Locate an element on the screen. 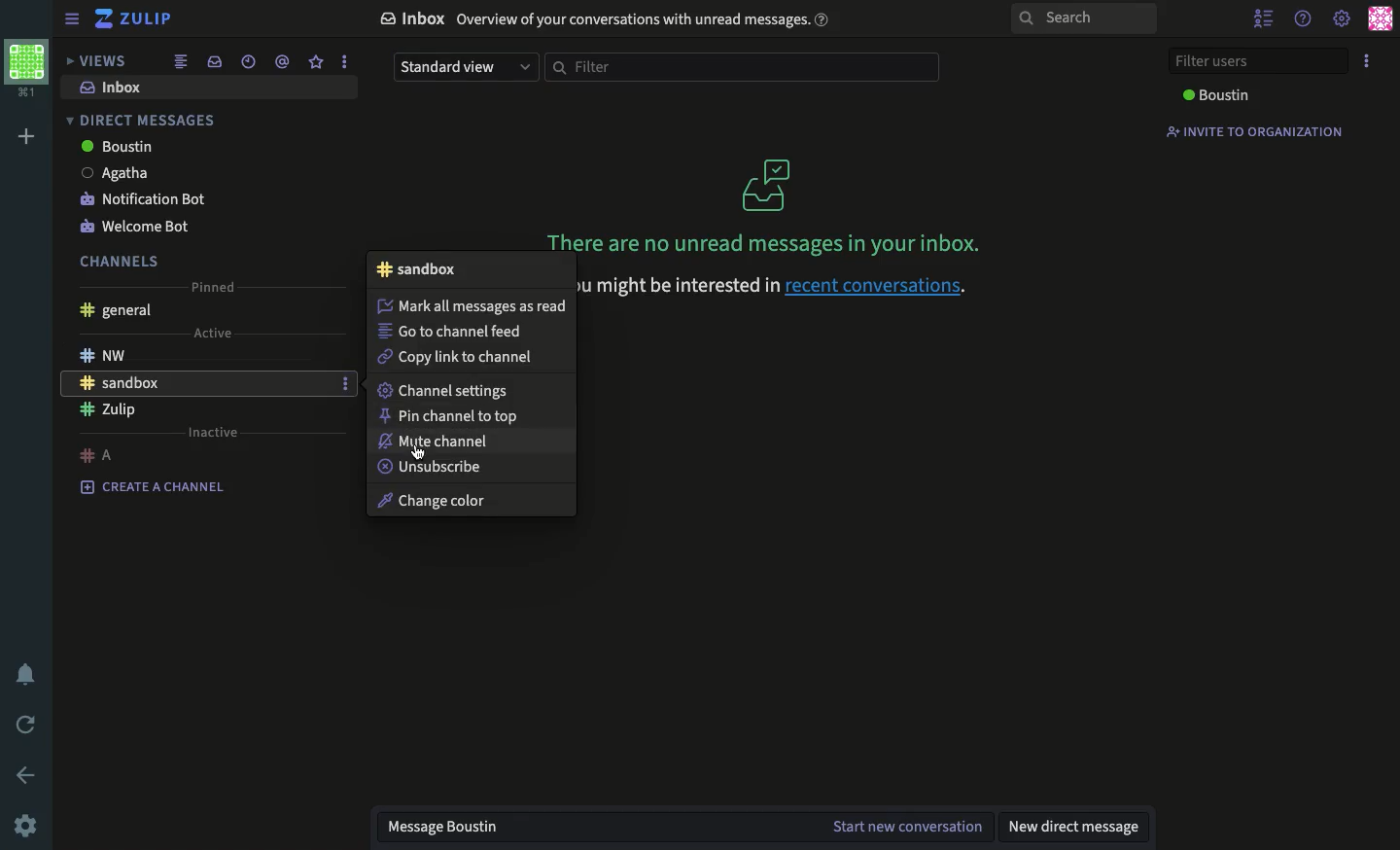  direct messages is located at coordinates (144, 121).